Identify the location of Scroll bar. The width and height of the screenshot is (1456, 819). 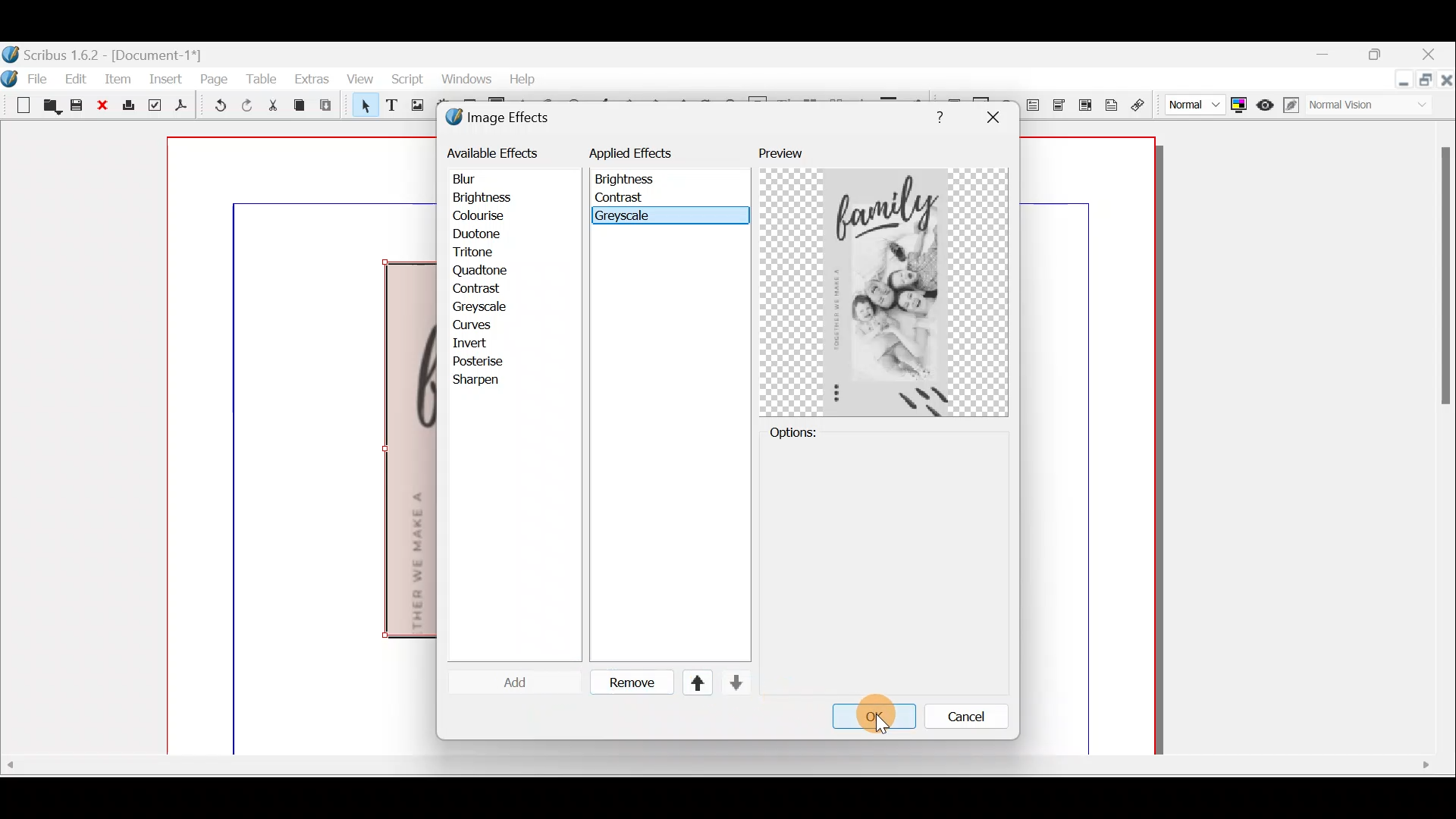
(1436, 437).